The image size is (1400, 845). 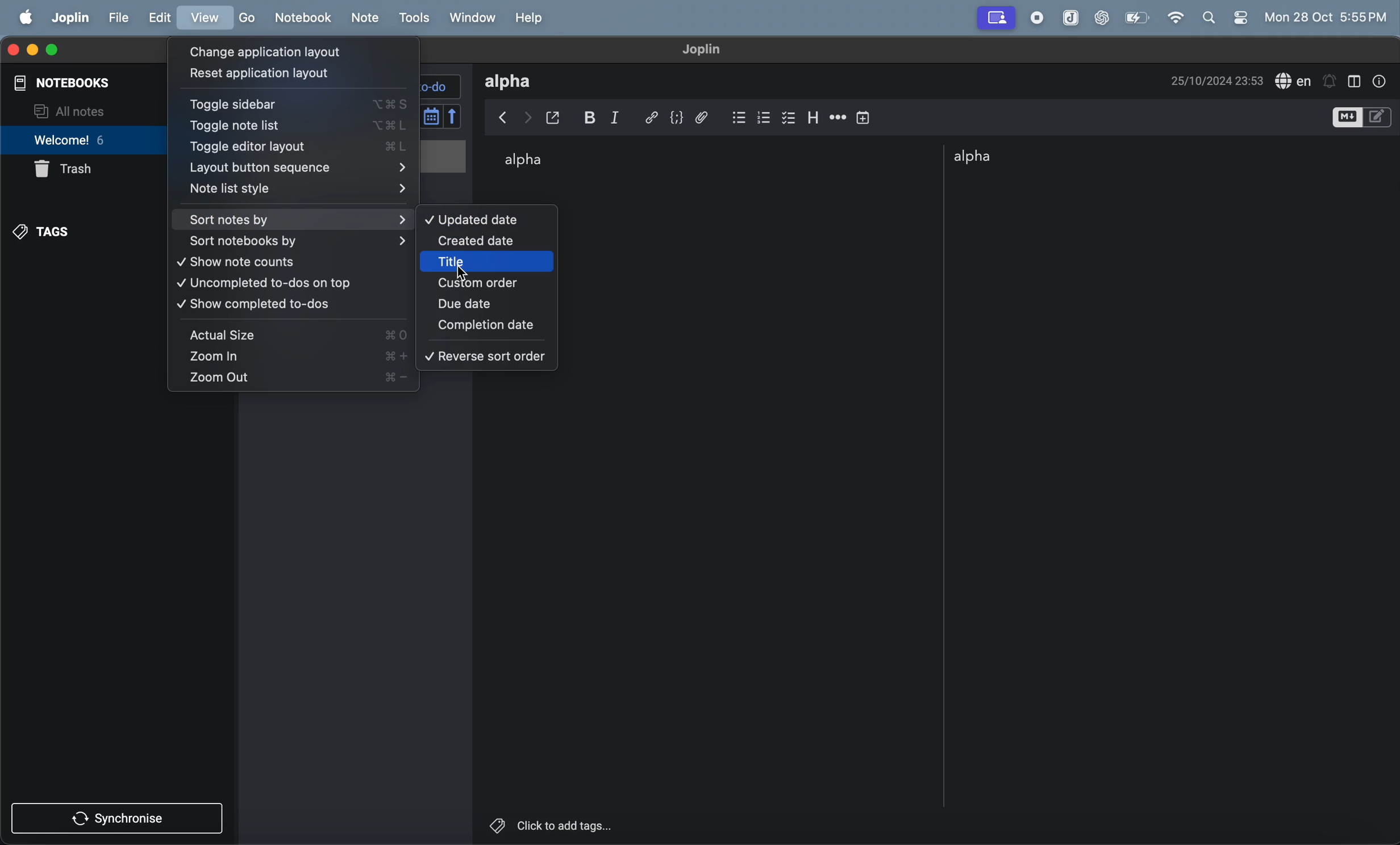 What do you see at coordinates (13, 48) in the screenshot?
I see `close` at bounding box center [13, 48].